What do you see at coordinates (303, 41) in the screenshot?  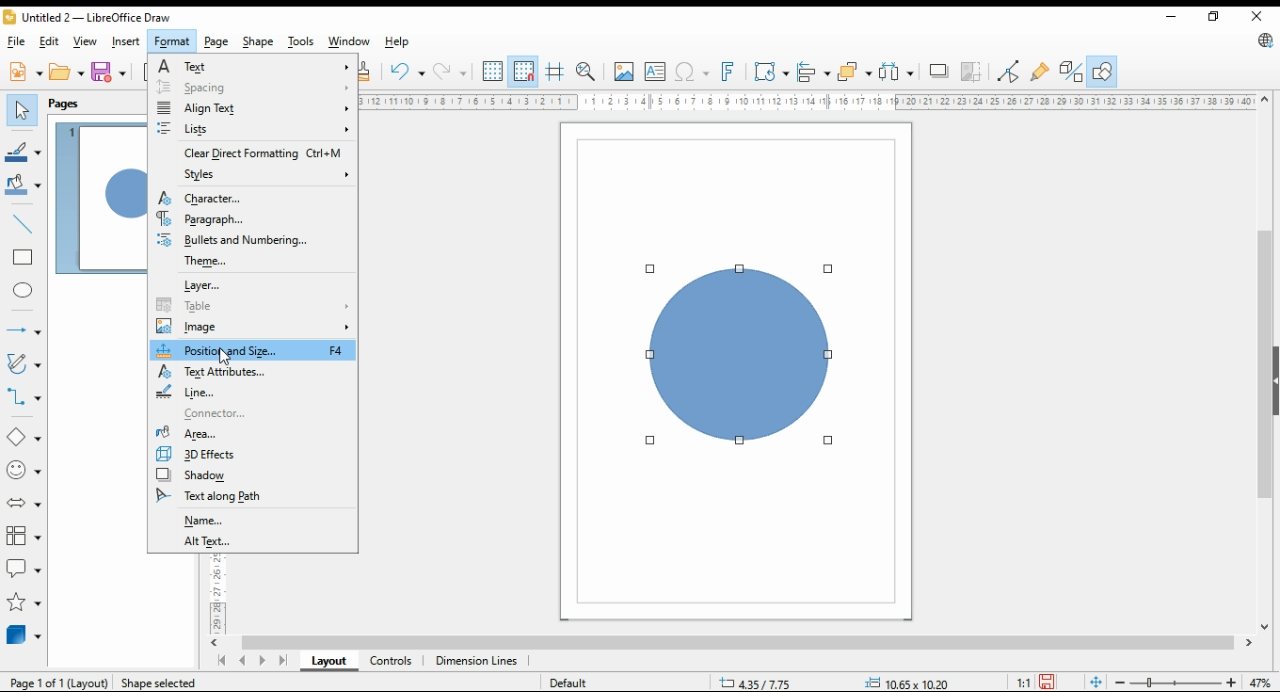 I see `tools` at bounding box center [303, 41].